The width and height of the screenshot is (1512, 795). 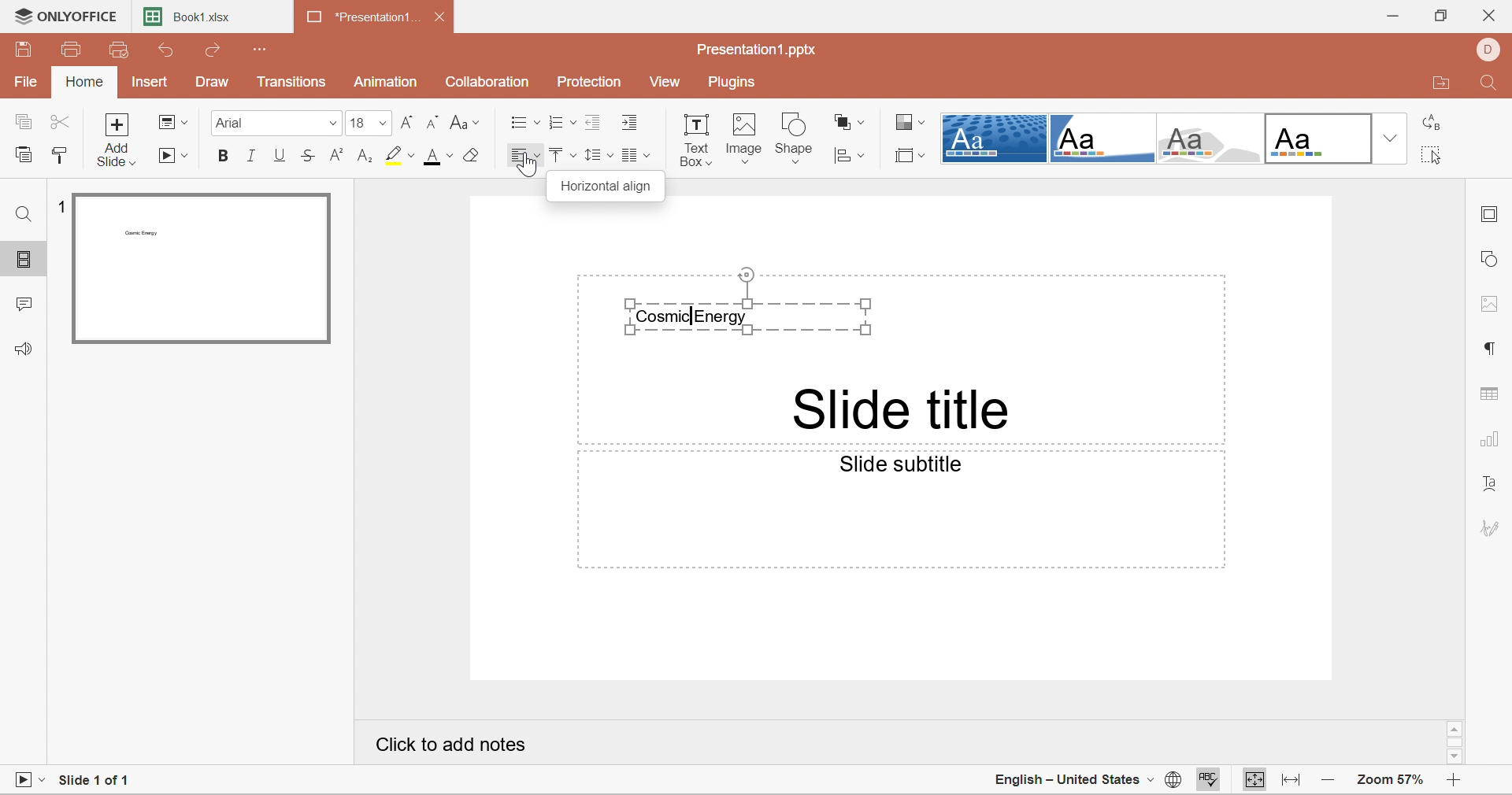 What do you see at coordinates (1456, 741) in the screenshot?
I see `Scroll Bar` at bounding box center [1456, 741].